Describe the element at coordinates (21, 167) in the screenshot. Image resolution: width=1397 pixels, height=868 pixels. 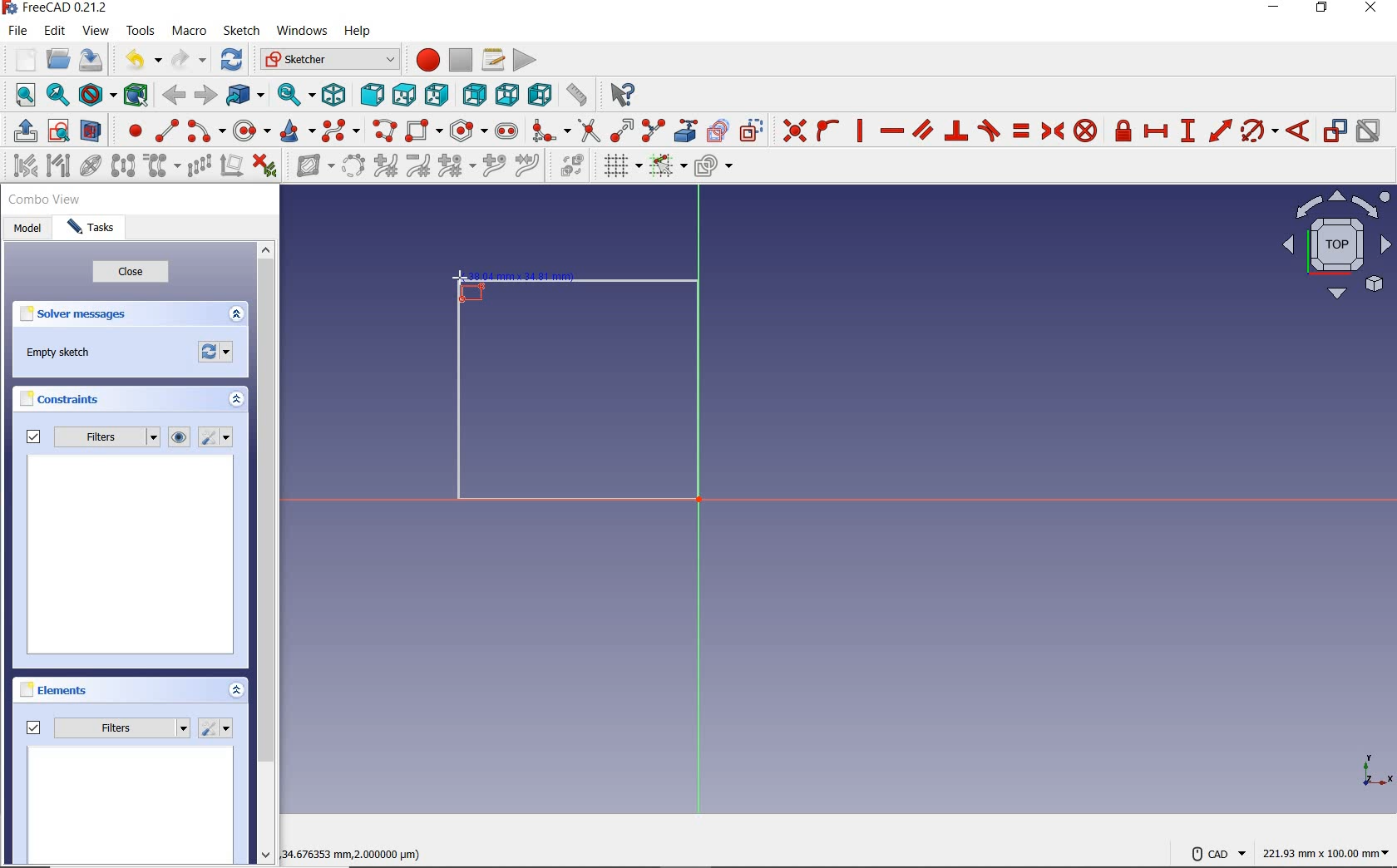
I see `select associated constraints` at that location.